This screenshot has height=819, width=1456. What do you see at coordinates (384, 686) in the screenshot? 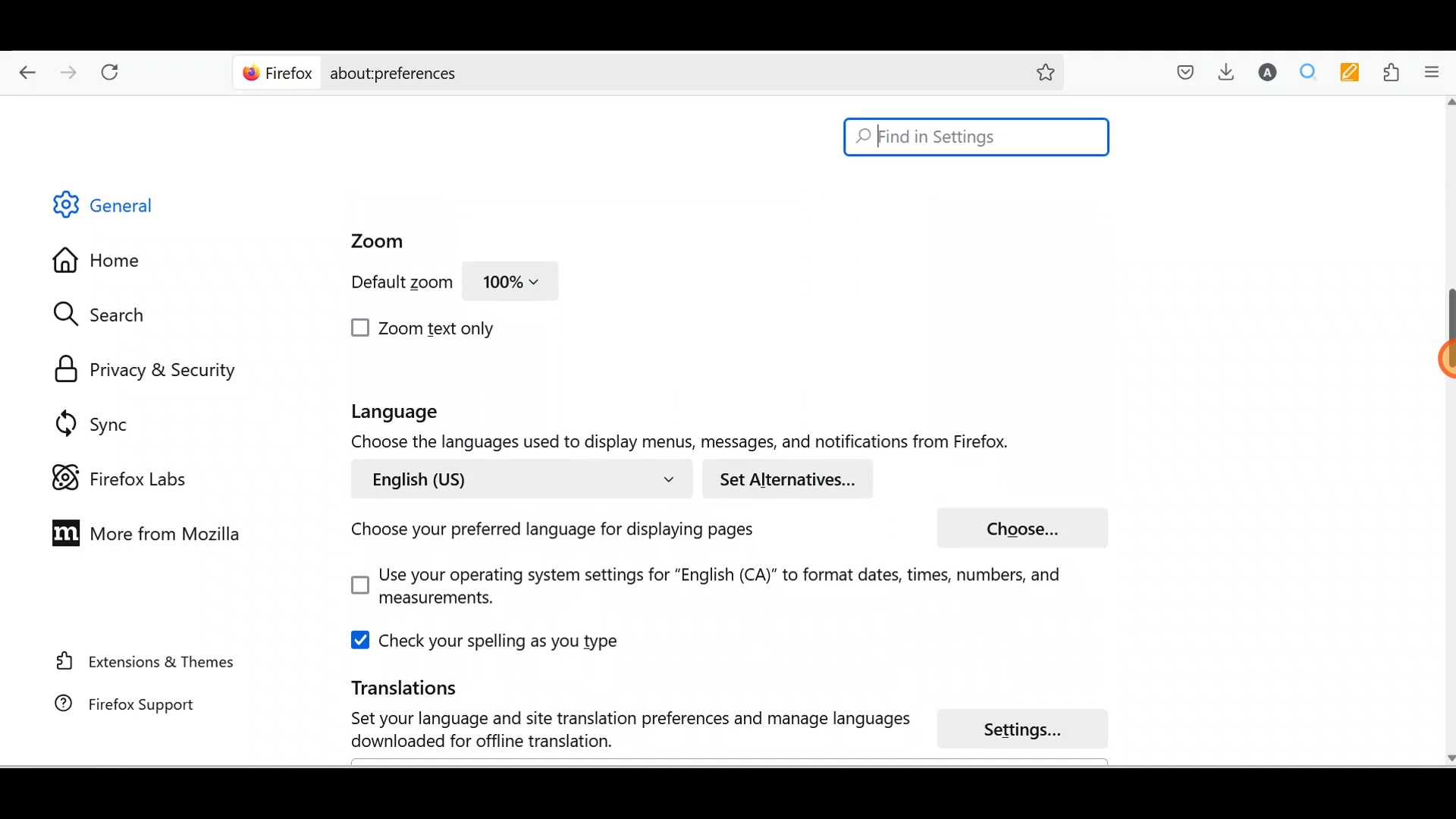
I see `Translations` at bounding box center [384, 686].